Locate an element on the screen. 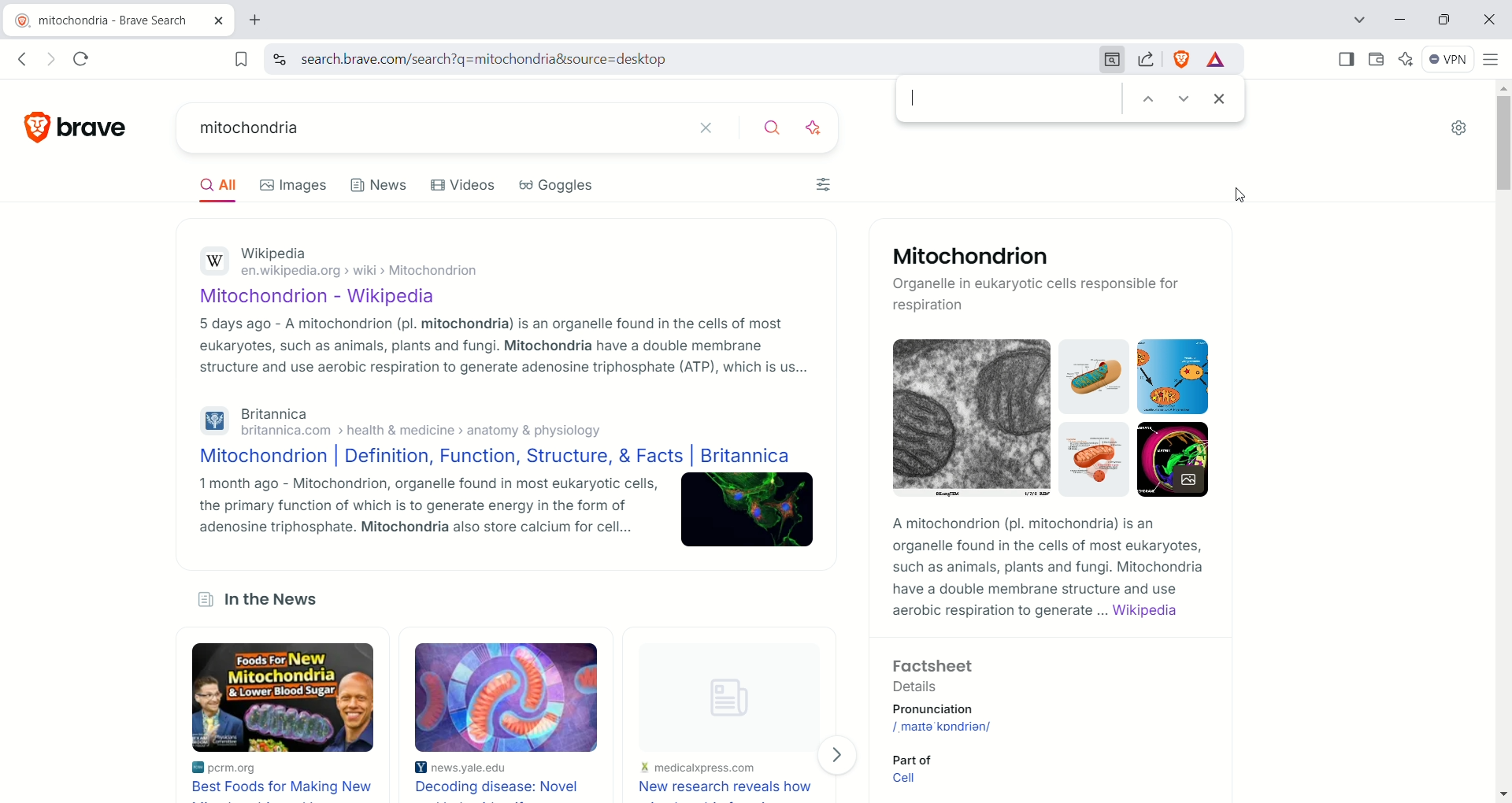  Next is located at coordinates (838, 757).